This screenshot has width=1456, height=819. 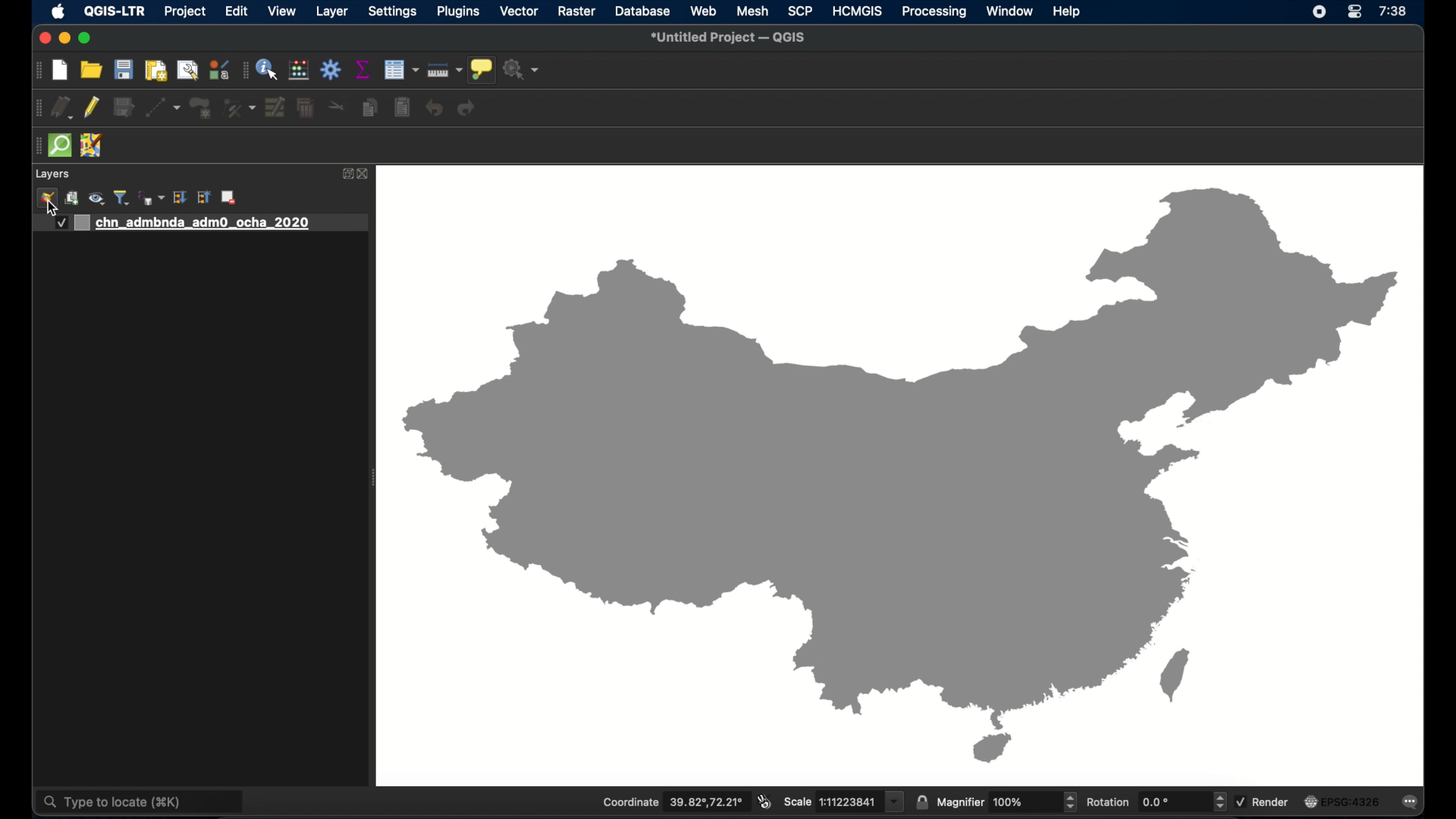 What do you see at coordinates (188, 71) in the screenshot?
I see `open layout manager` at bounding box center [188, 71].